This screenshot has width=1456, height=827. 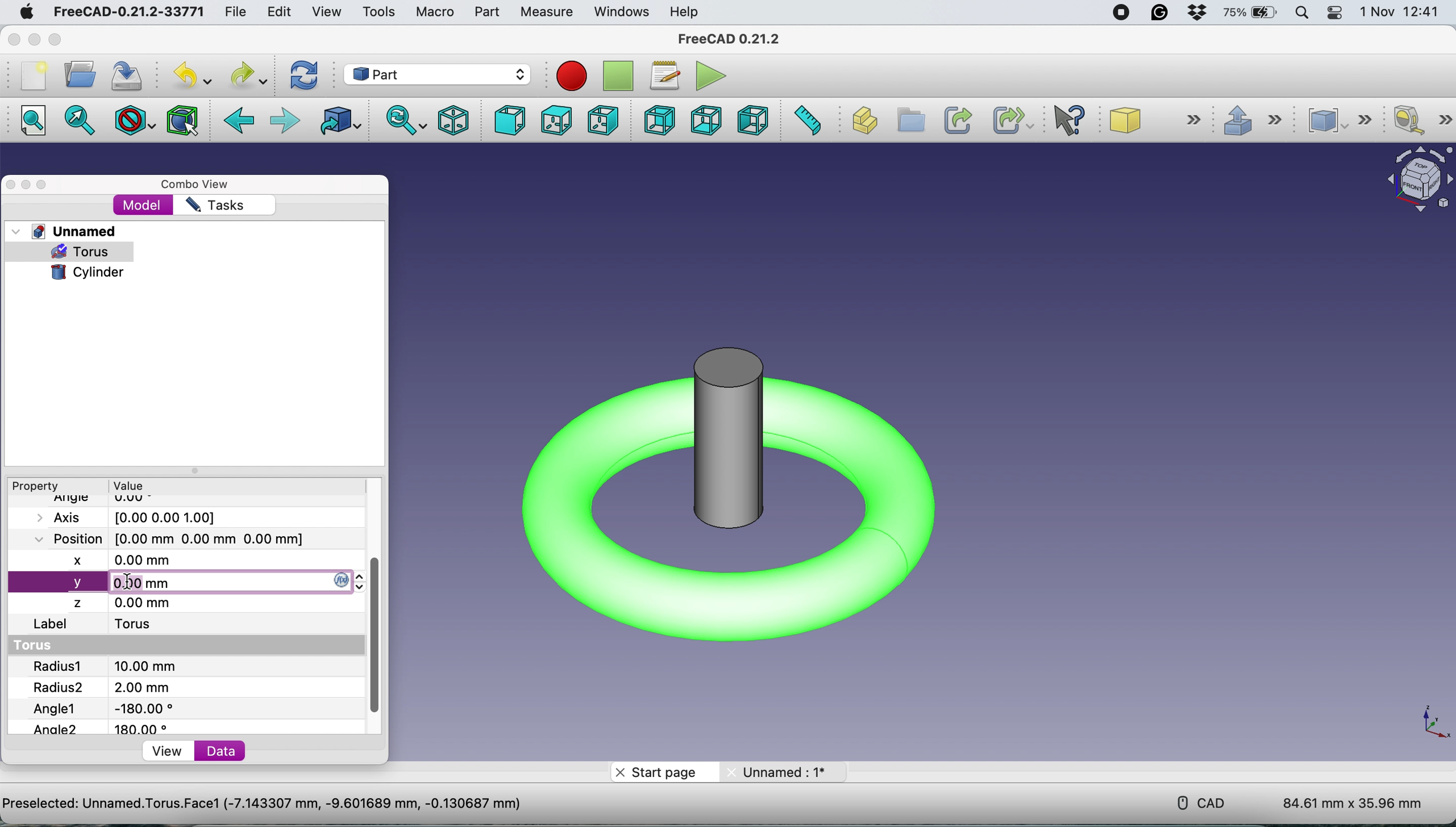 I want to click on cad, so click(x=1203, y=802).